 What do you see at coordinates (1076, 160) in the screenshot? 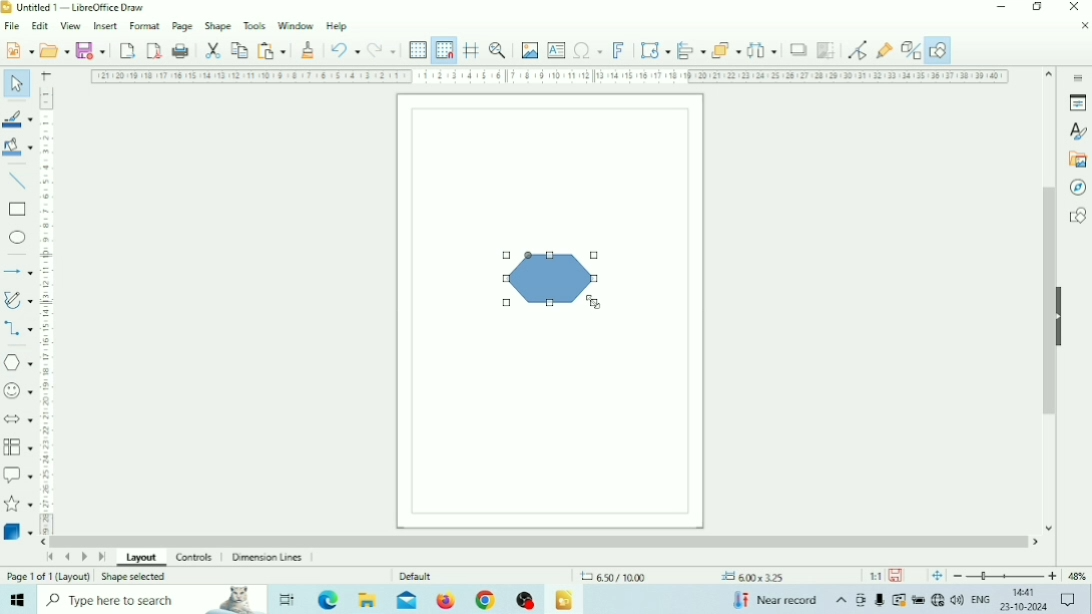
I see `Gallery` at bounding box center [1076, 160].